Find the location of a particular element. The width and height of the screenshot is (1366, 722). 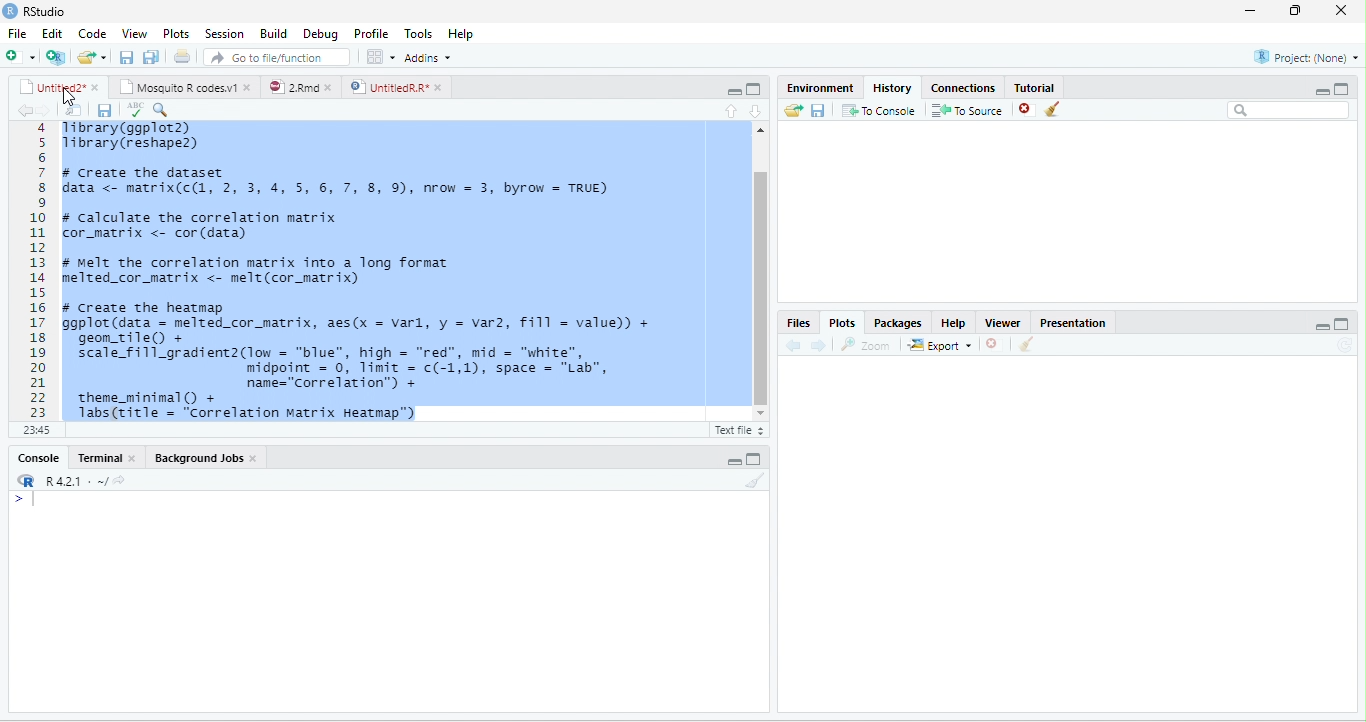

viewer is located at coordinates (1001, 320).